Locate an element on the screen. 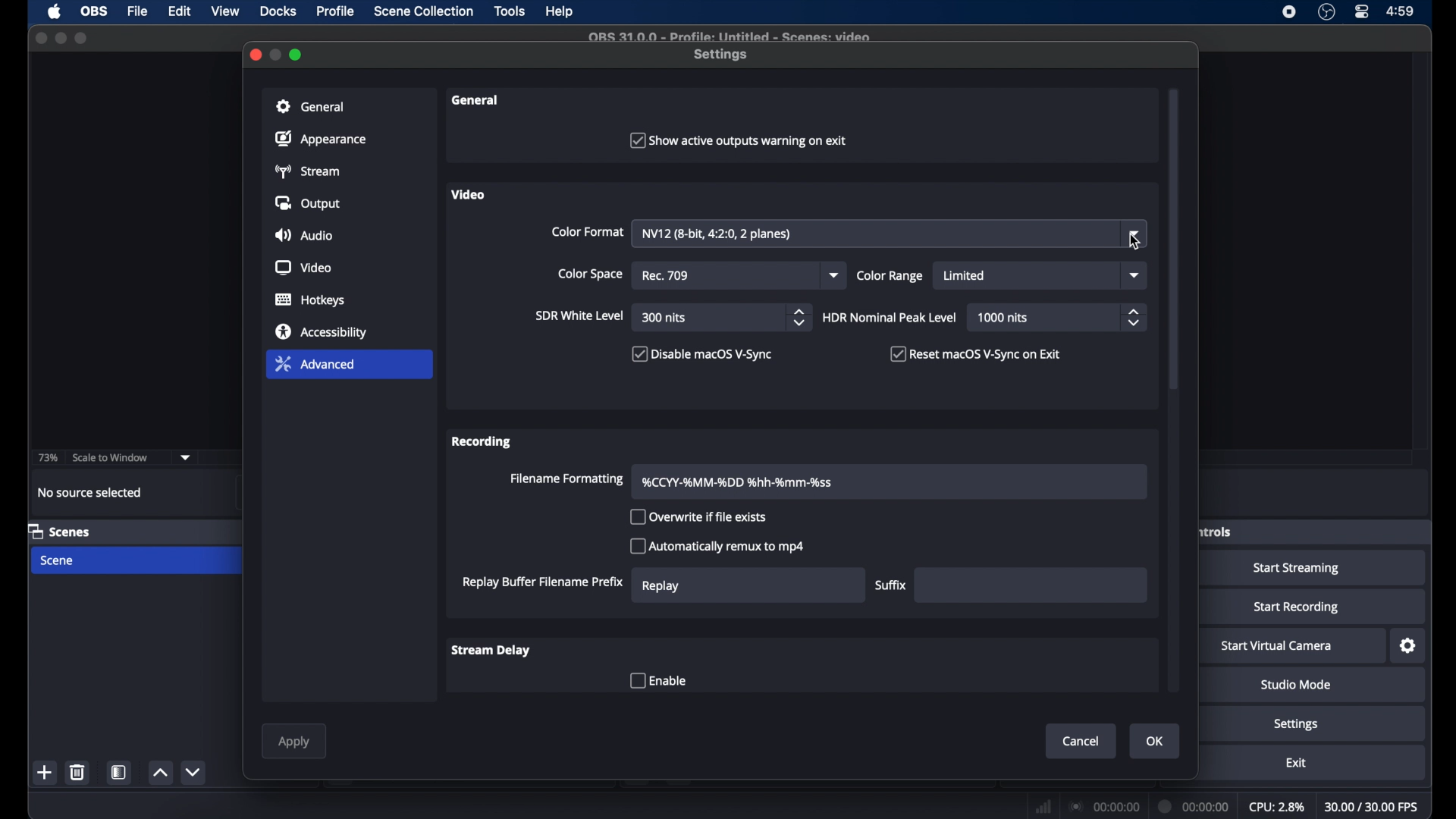 Image resolution: width=1456 pixels, height=819 pixels. dropdown is located at coordinates (1137, 234).